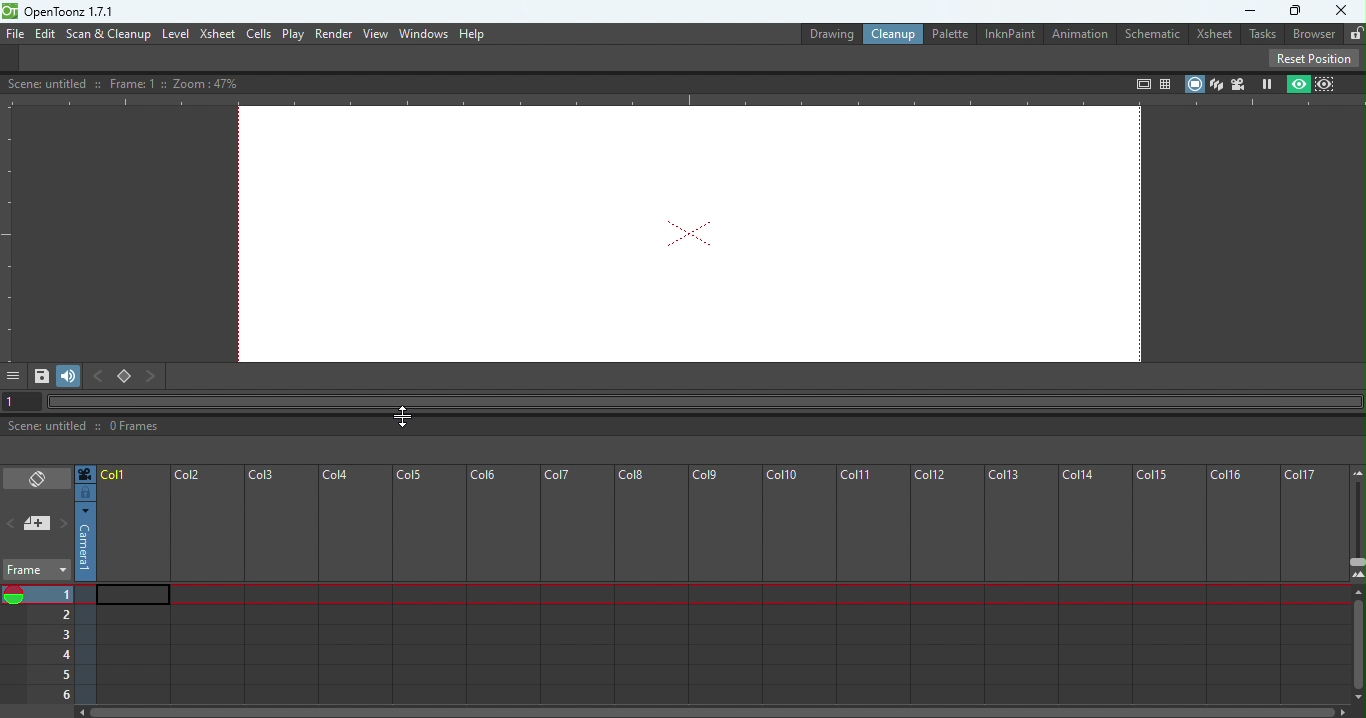 The image size is (1366, 718). I want to click on openloonz1.7.1, so click(75, 12).